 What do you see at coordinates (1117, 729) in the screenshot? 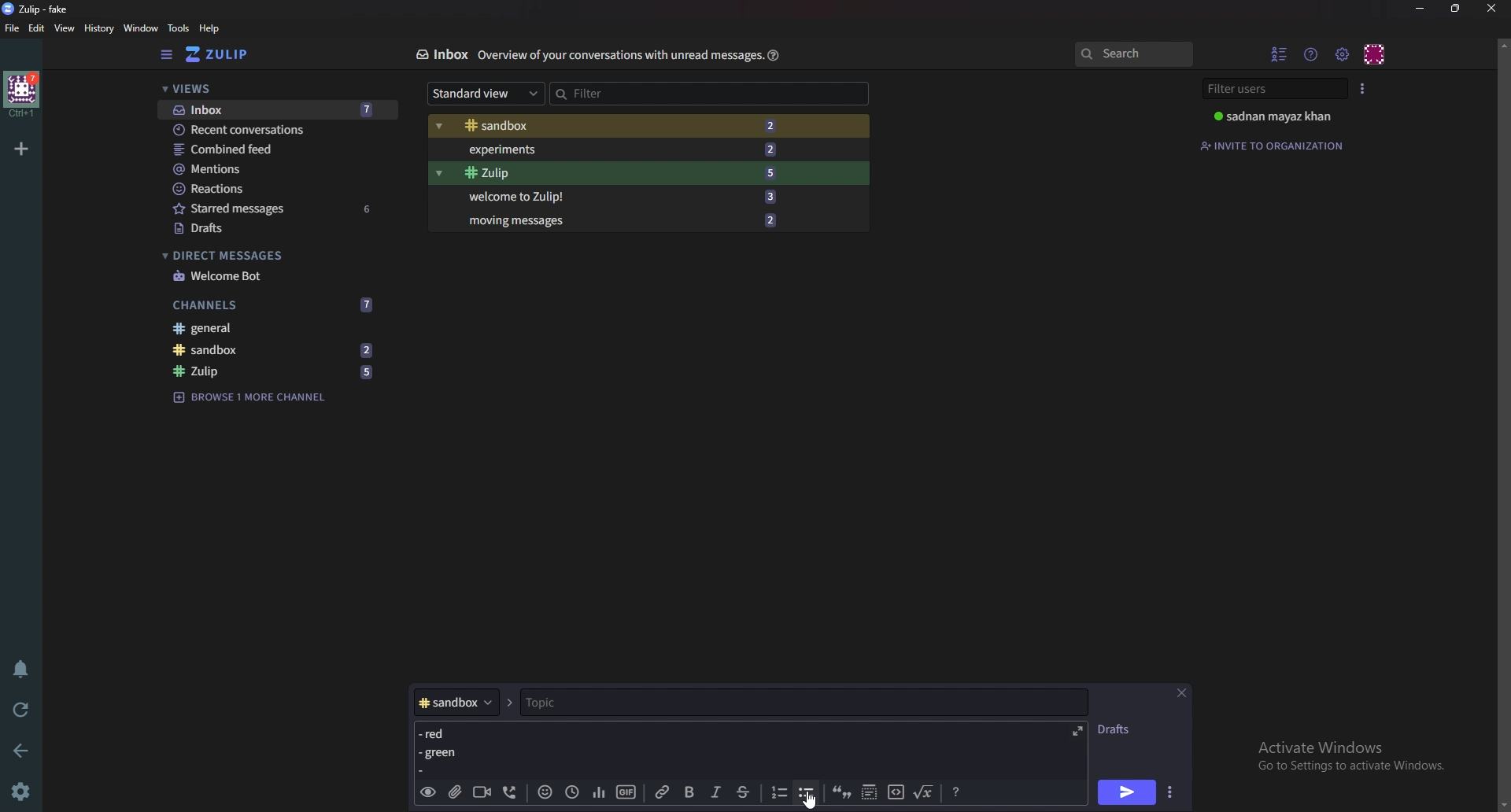
I see `Drafts` at bounding box center [1117, 729].